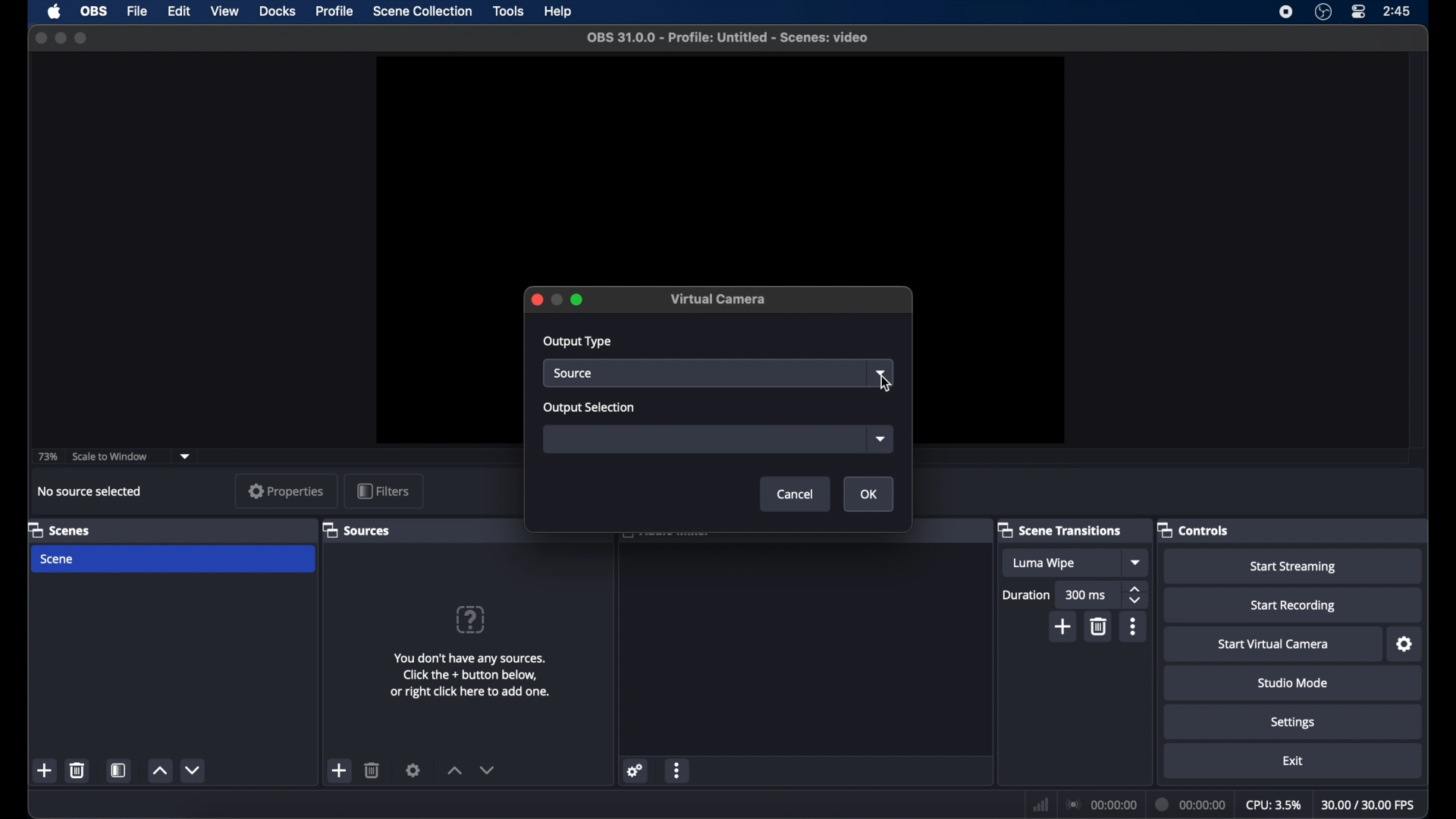  What do you see at coordinates (880, 438) in the screenshot?
I see `dropdown` at bounding box center [880, 438].